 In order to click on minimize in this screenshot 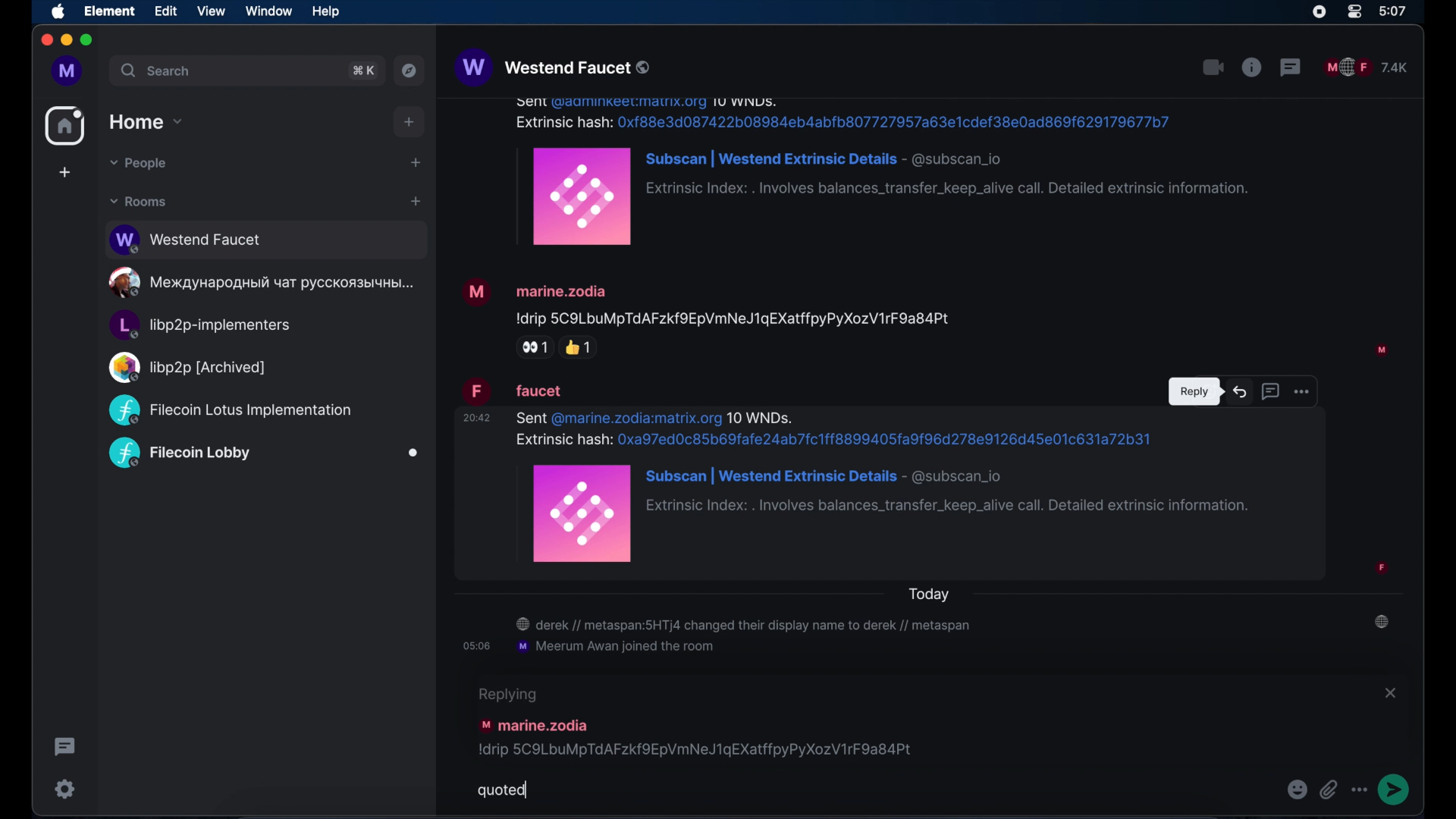, I will do `click(66, 40)`.